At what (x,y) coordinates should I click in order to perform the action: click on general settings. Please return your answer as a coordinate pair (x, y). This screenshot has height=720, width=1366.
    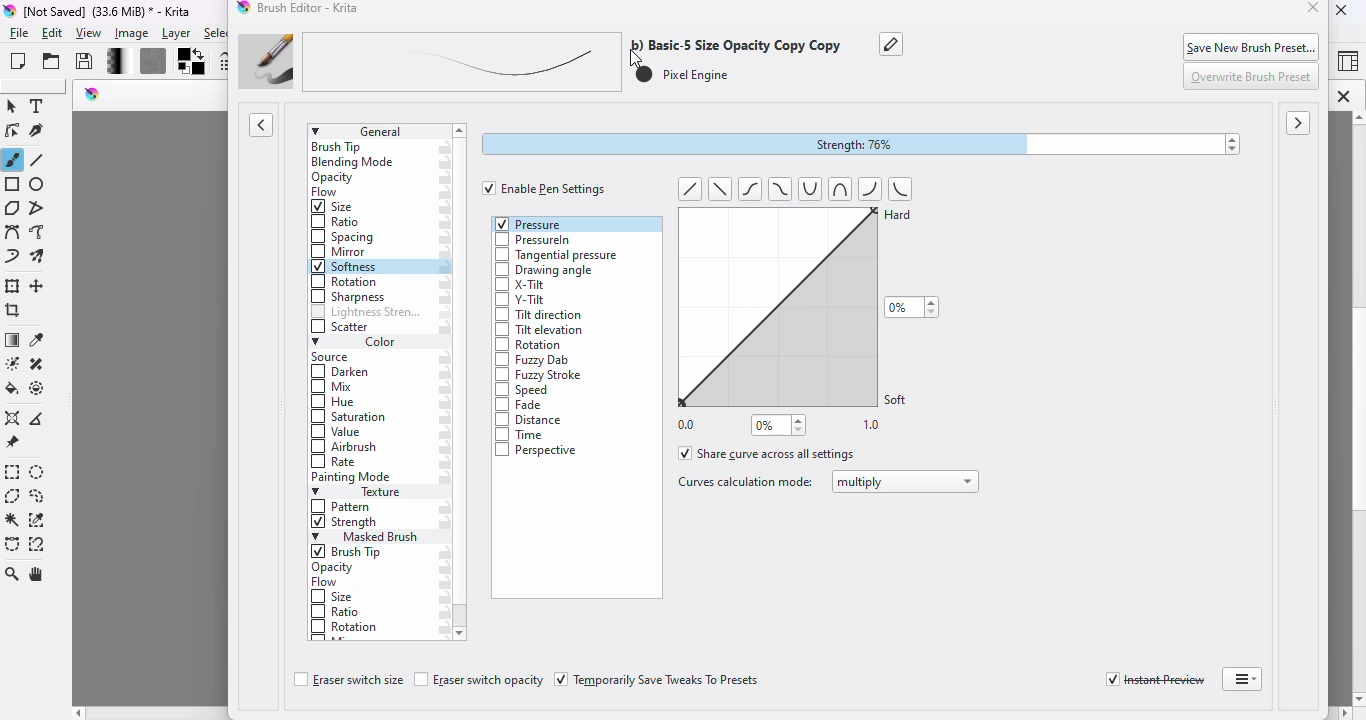
    Looking at the image, I should click on (378, 131).